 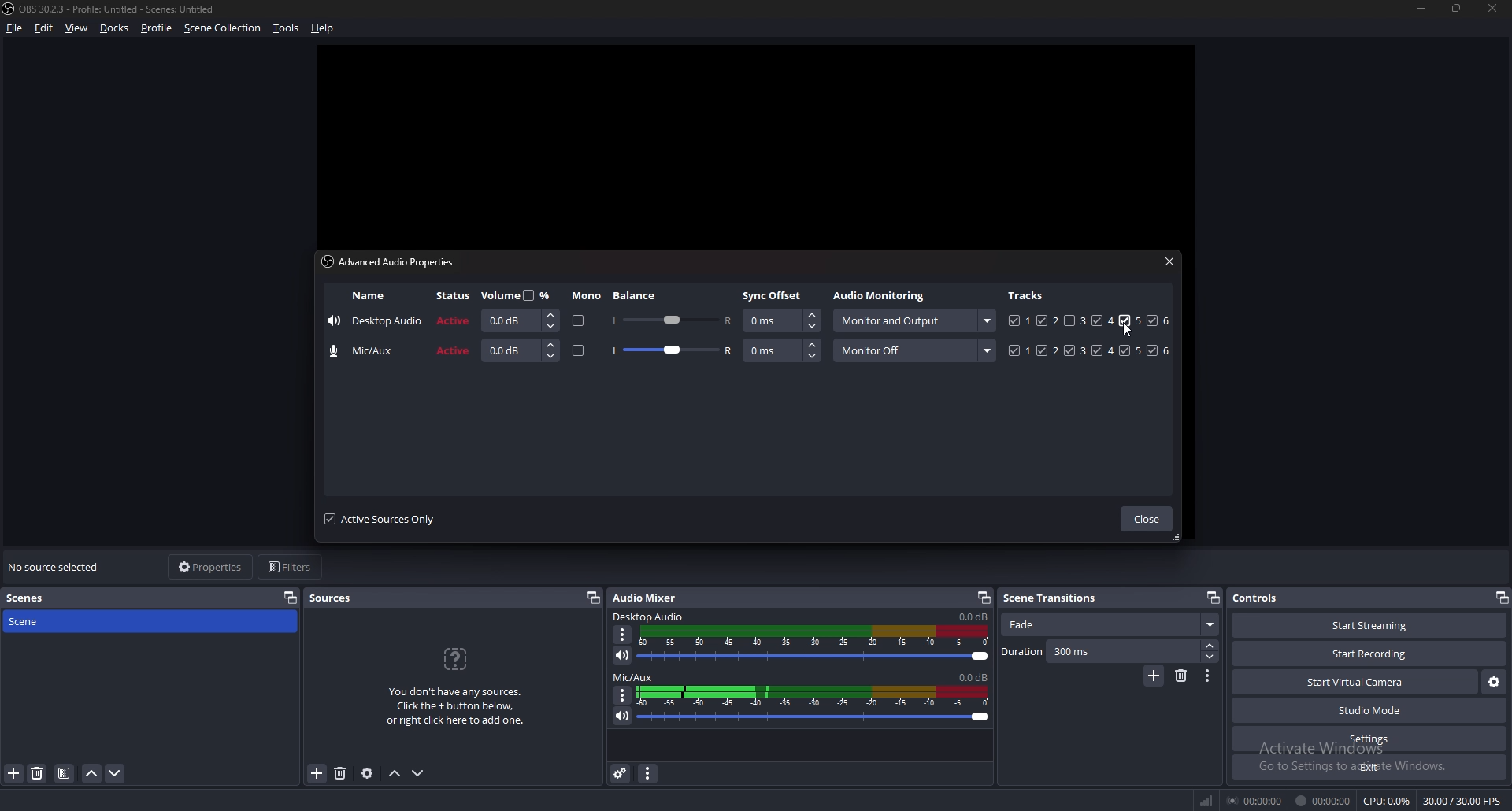 I want to click on decrease duration, so click(x=1209, y=657).